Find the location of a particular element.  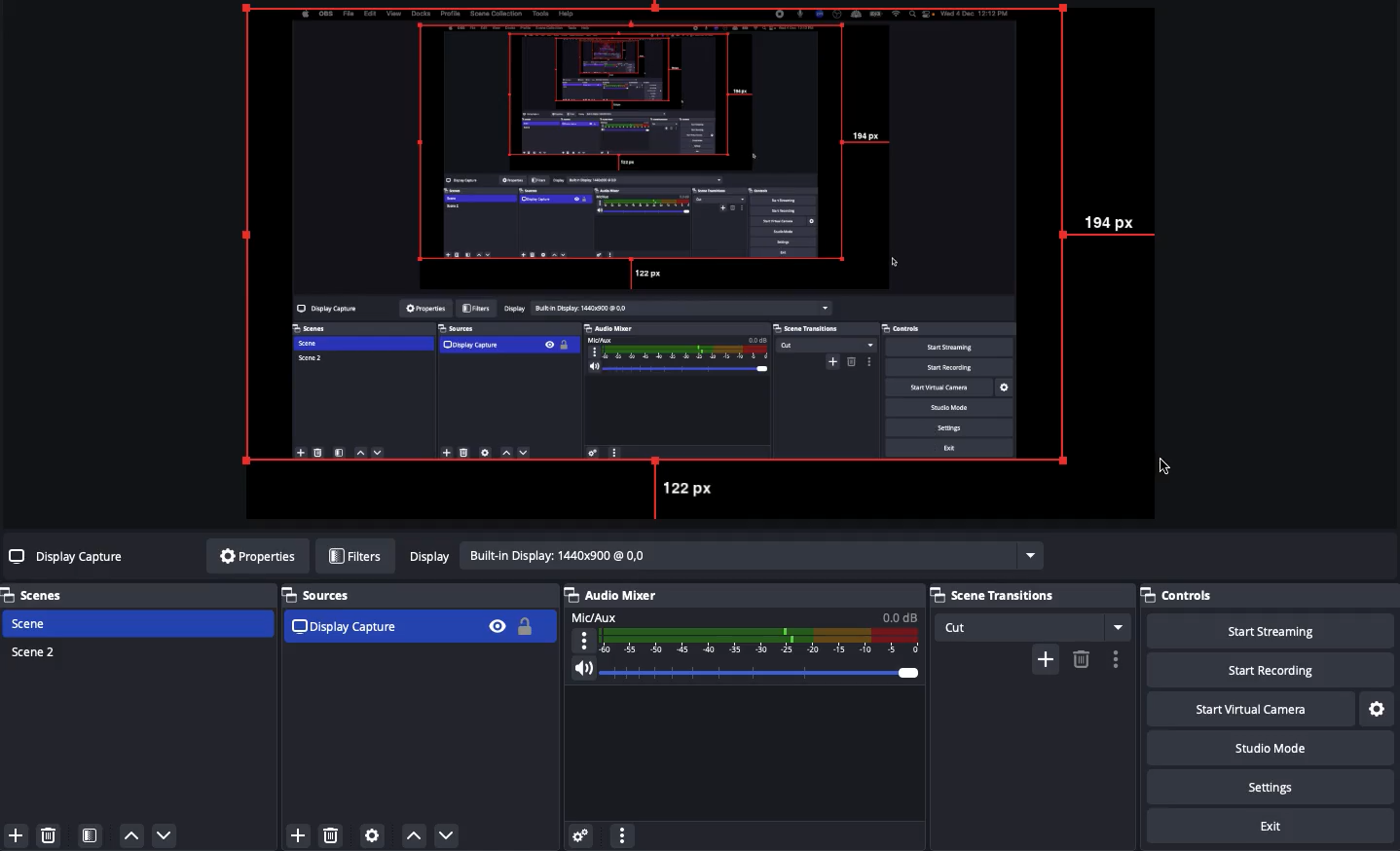

Add is located at coordinates (1045, 657).